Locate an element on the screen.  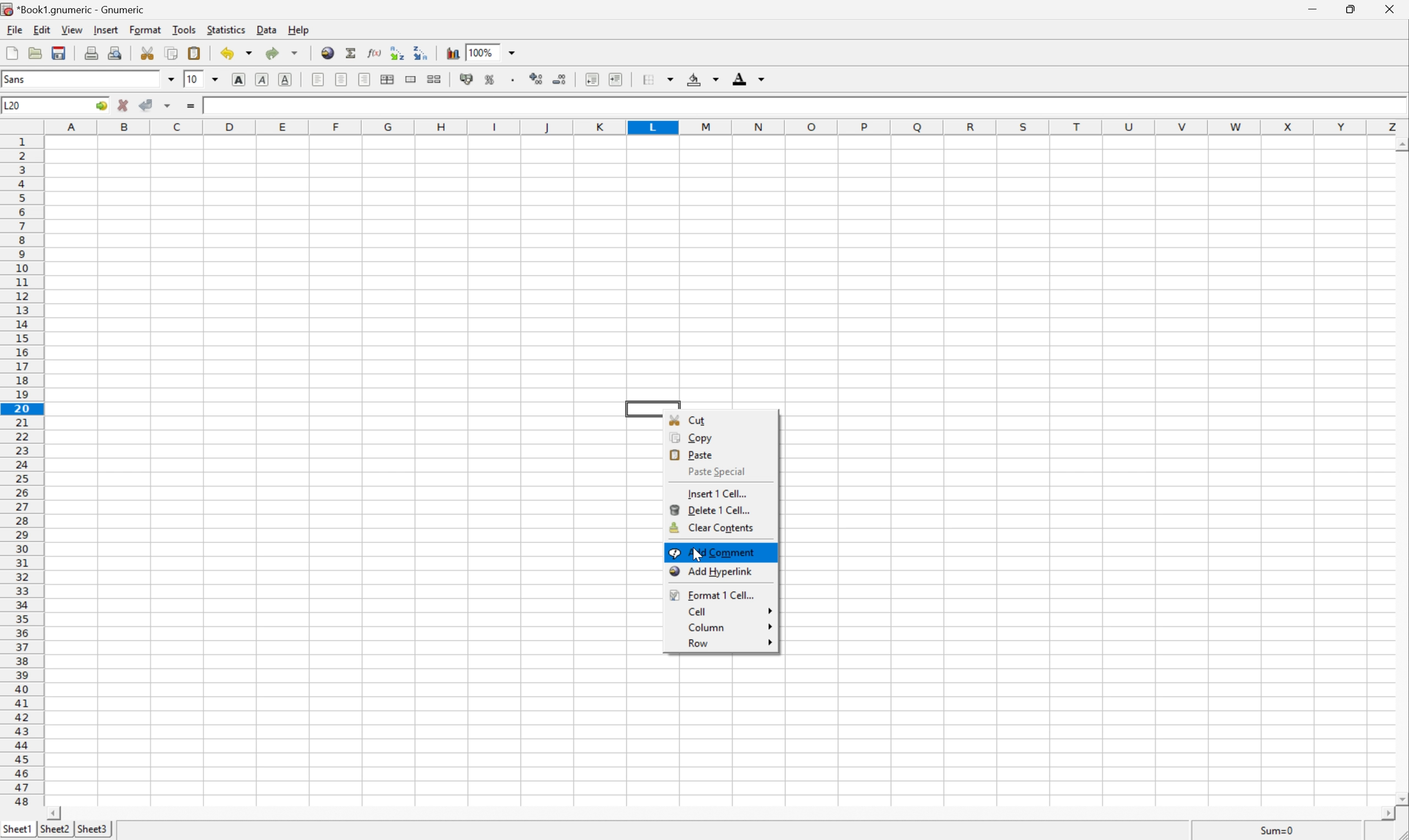
Tools is located at coordinates (183, 28).